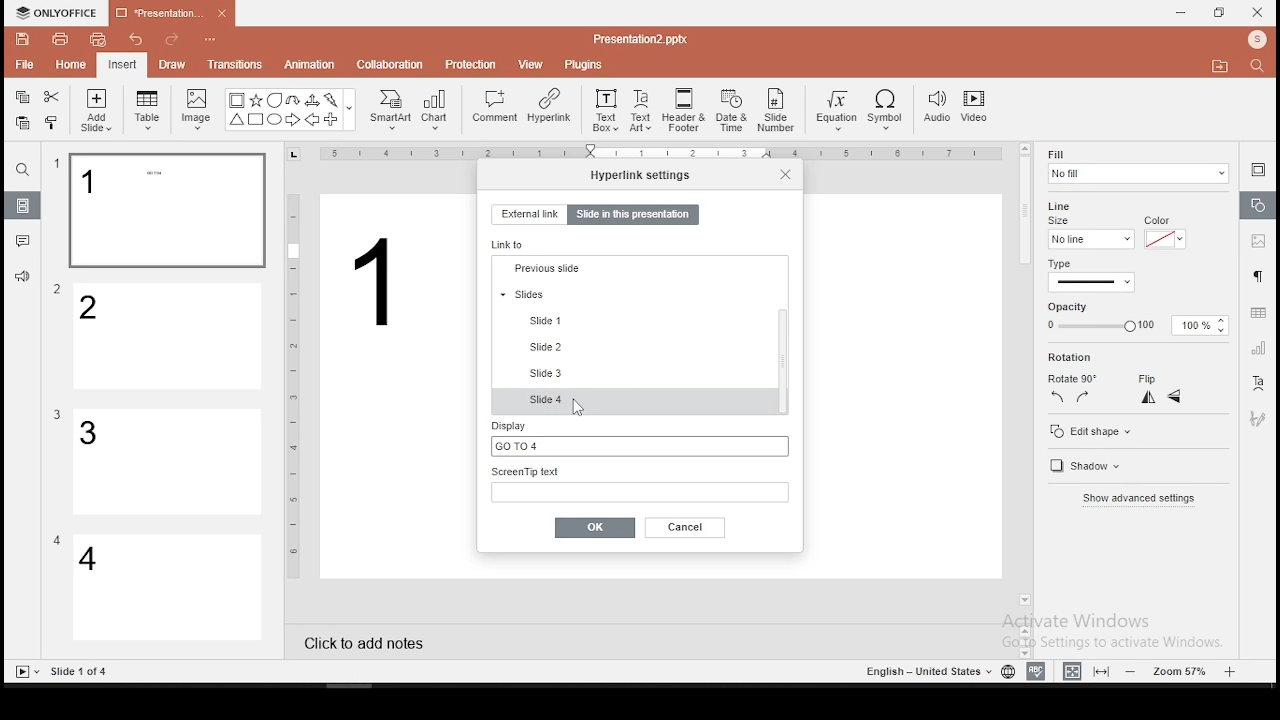  I want to click on undo, so click(136, 41).